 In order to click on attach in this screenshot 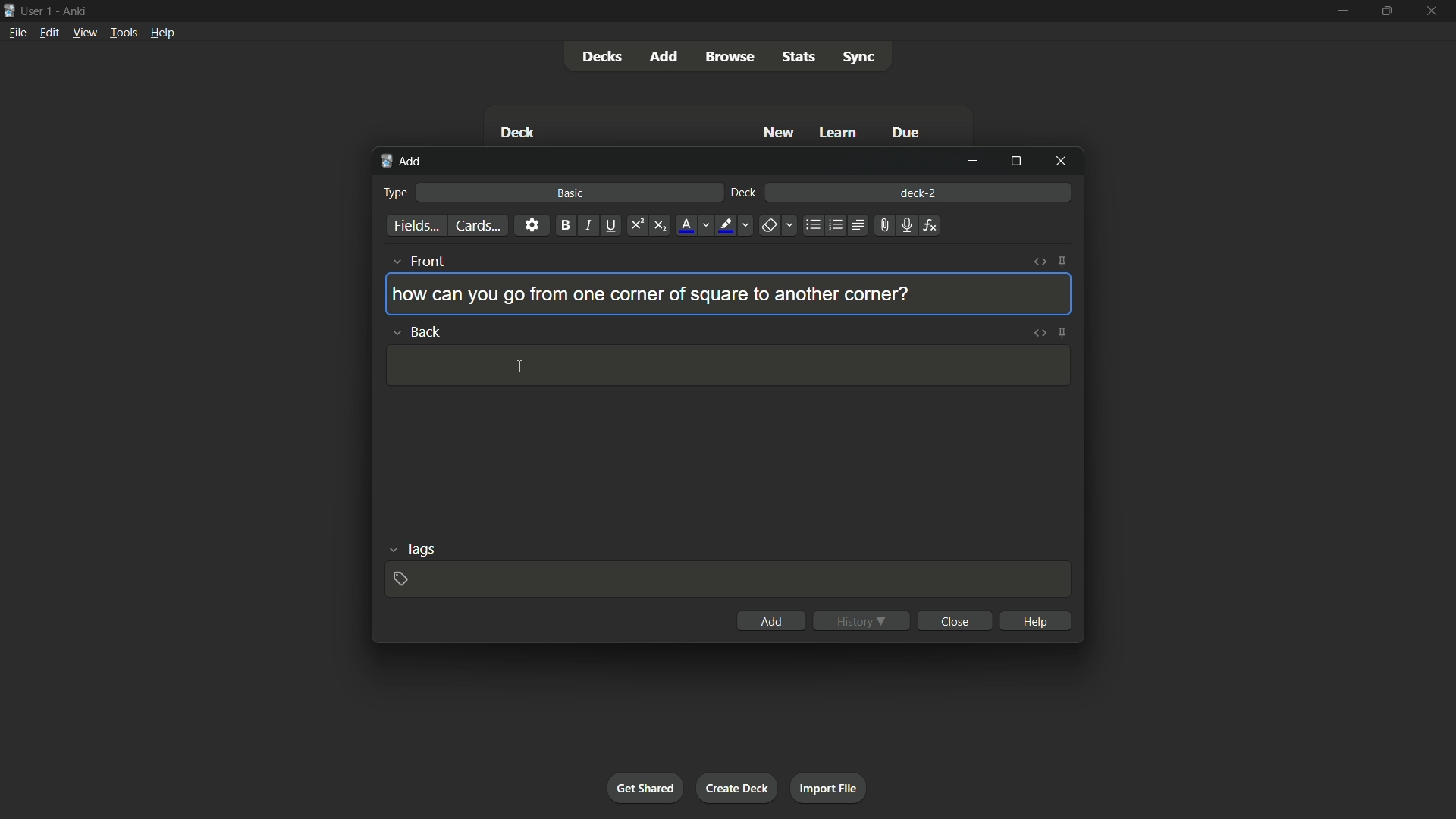, I will do `click(885, 224)`.